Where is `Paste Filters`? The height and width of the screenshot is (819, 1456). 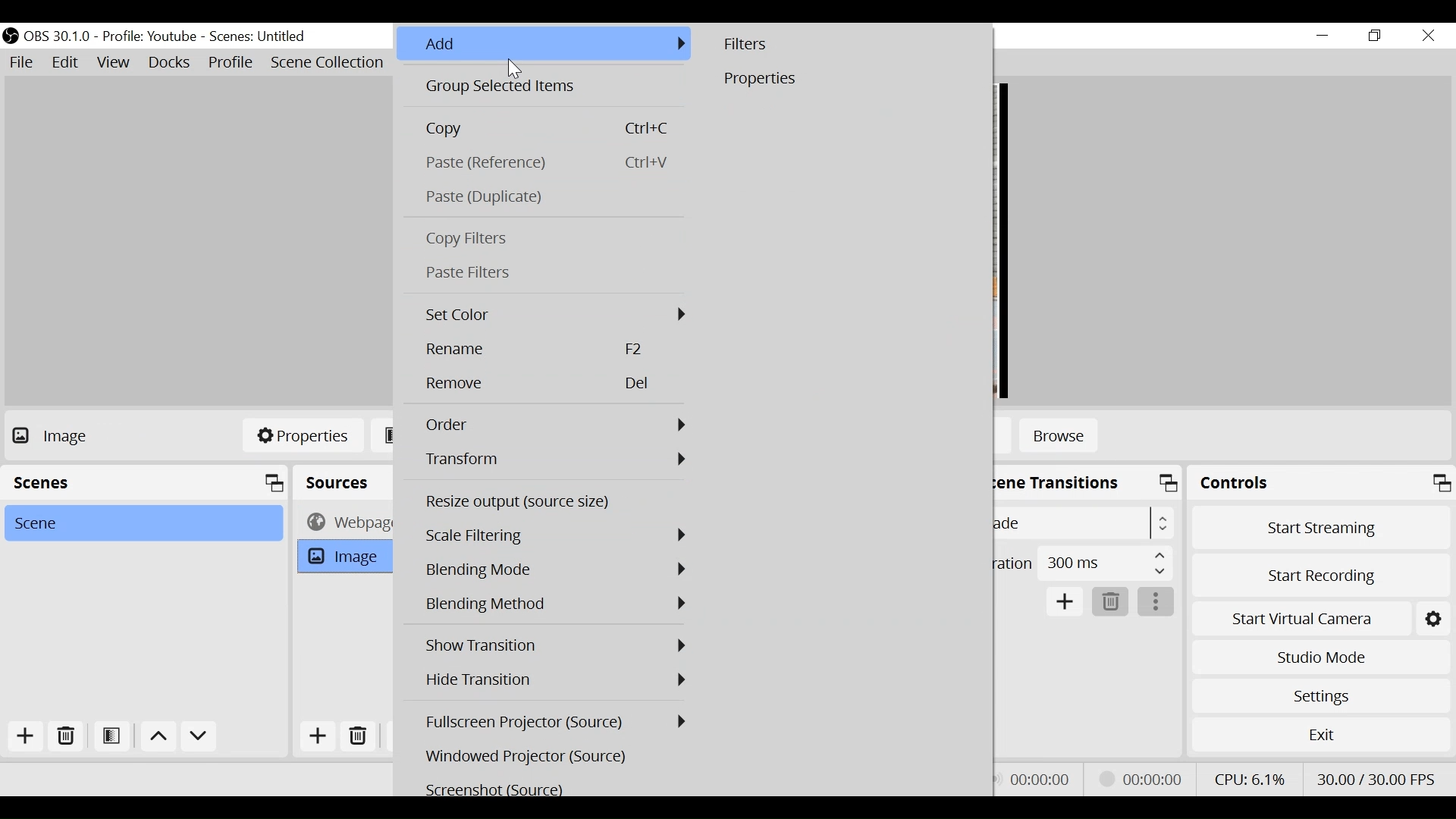
Paste Filters is located at coordinates (544, 272).